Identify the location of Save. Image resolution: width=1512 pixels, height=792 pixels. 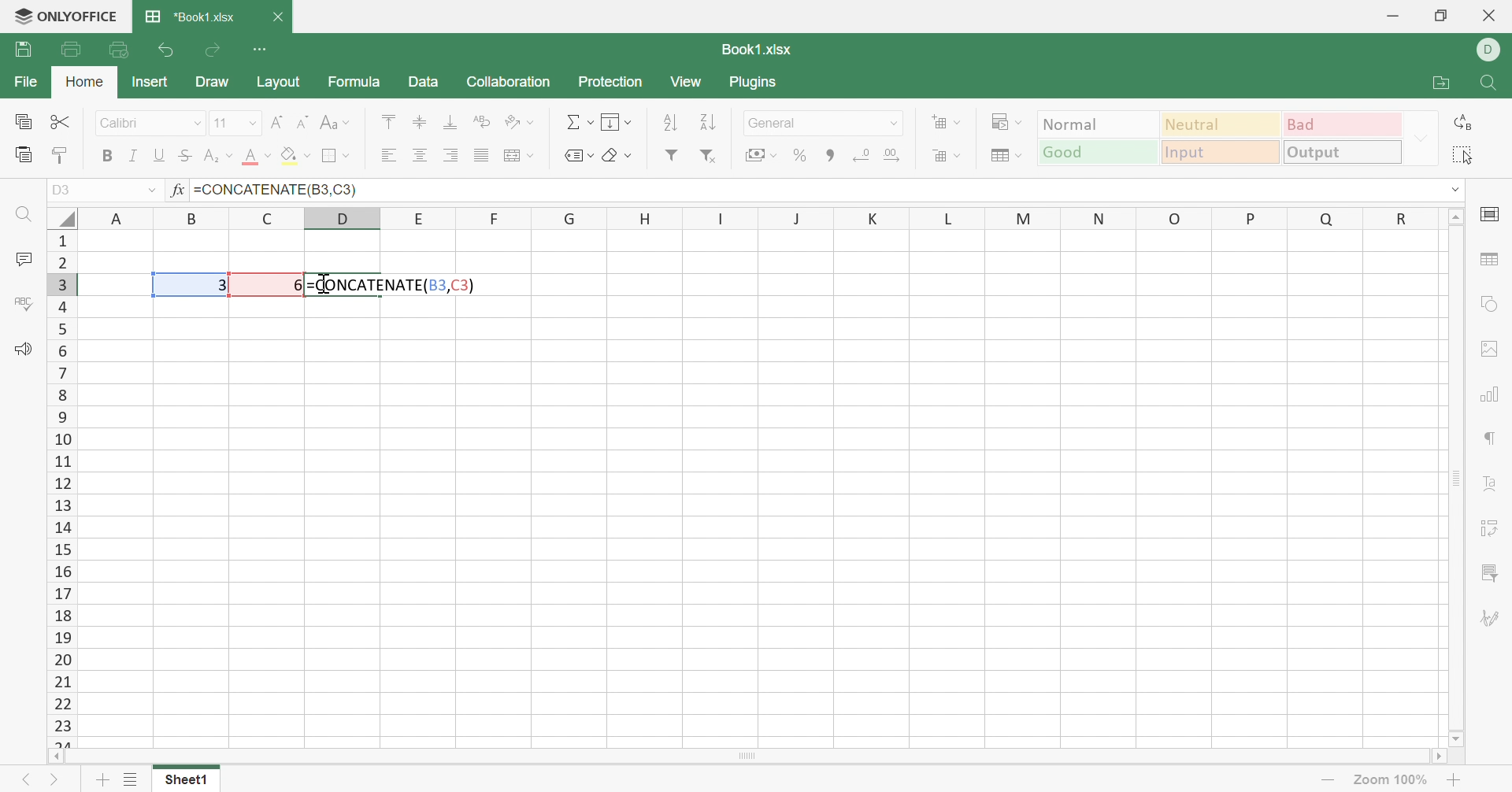
(21, 50).